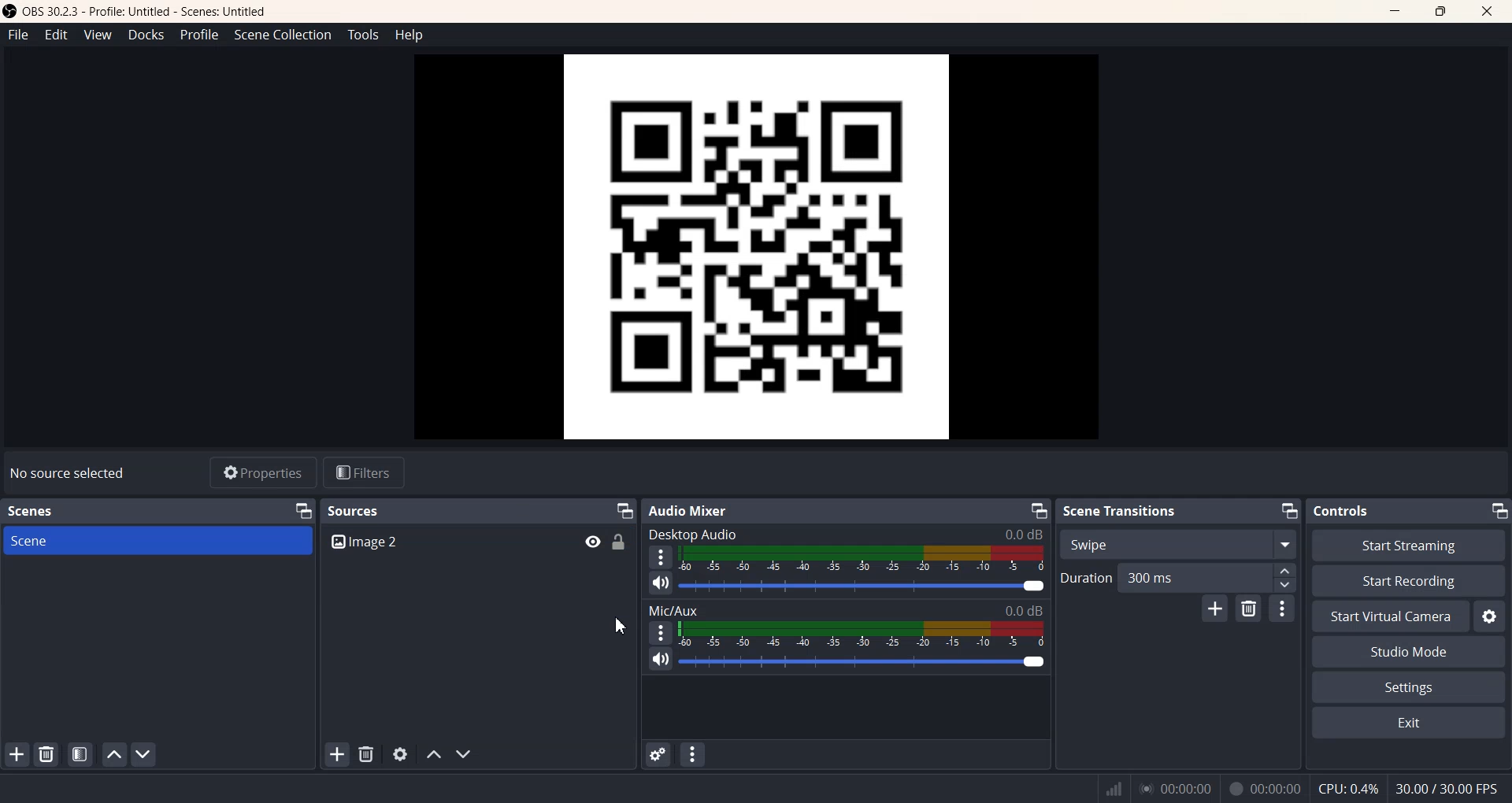 This screenshot has height=803, width=1512. I want to click on Move source up, so click(433, 755).